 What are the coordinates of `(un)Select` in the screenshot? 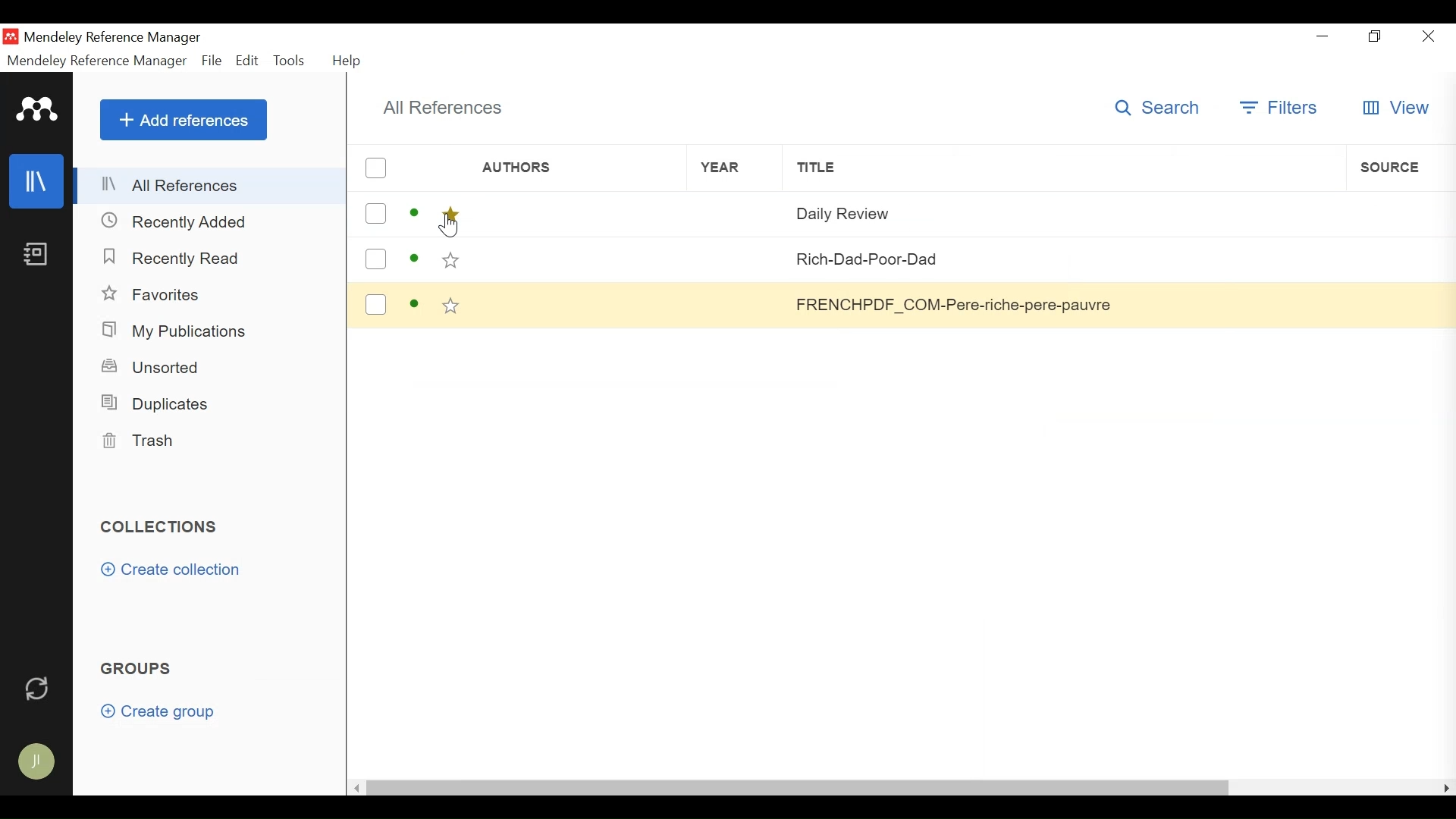 It's located at (375, 168).